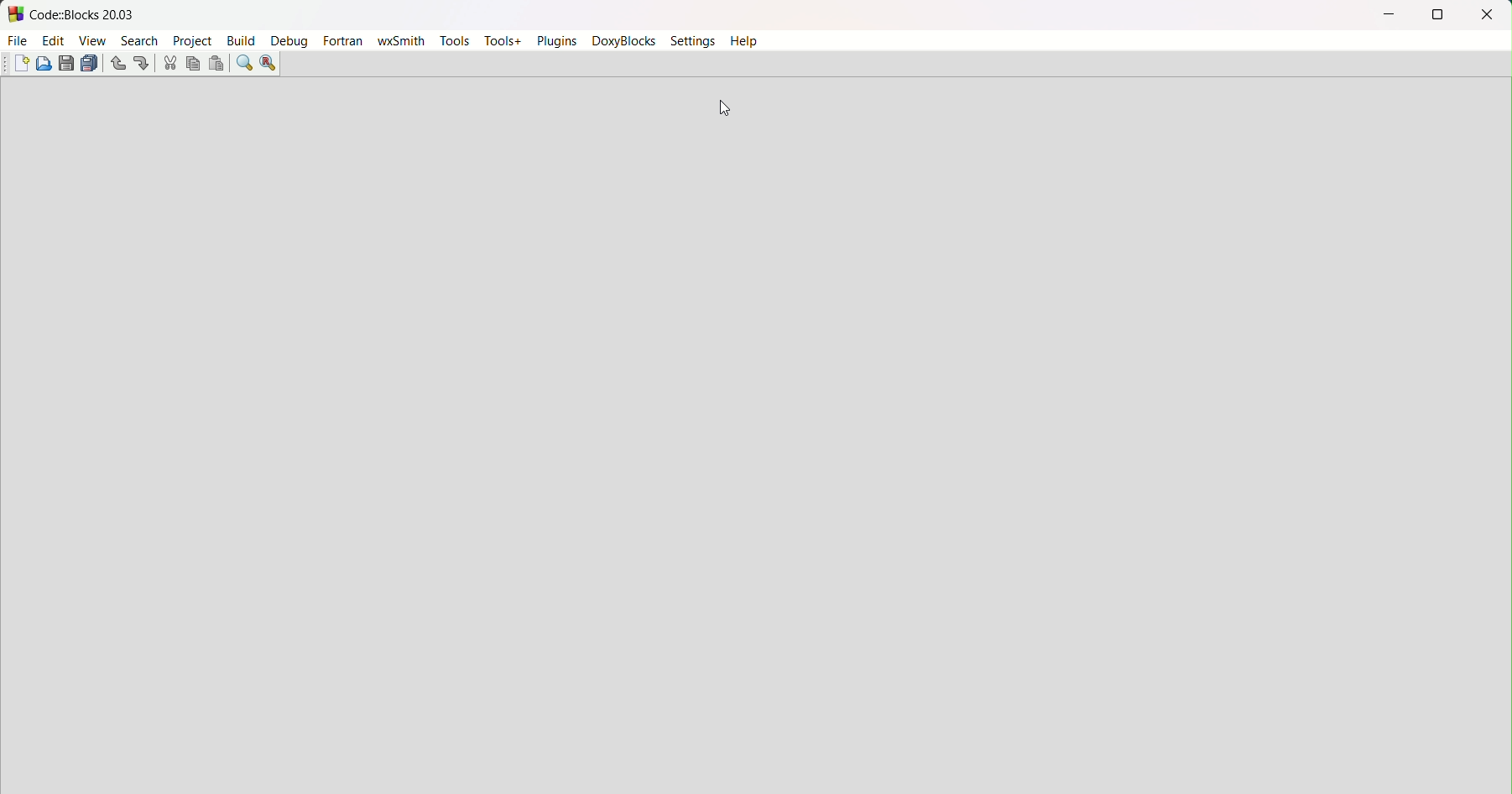 The image size is (1512, 794). What do you see at coordinates (400, 43) in the screenshot?
I see `wxsmith` at bounding box center [400, 43].